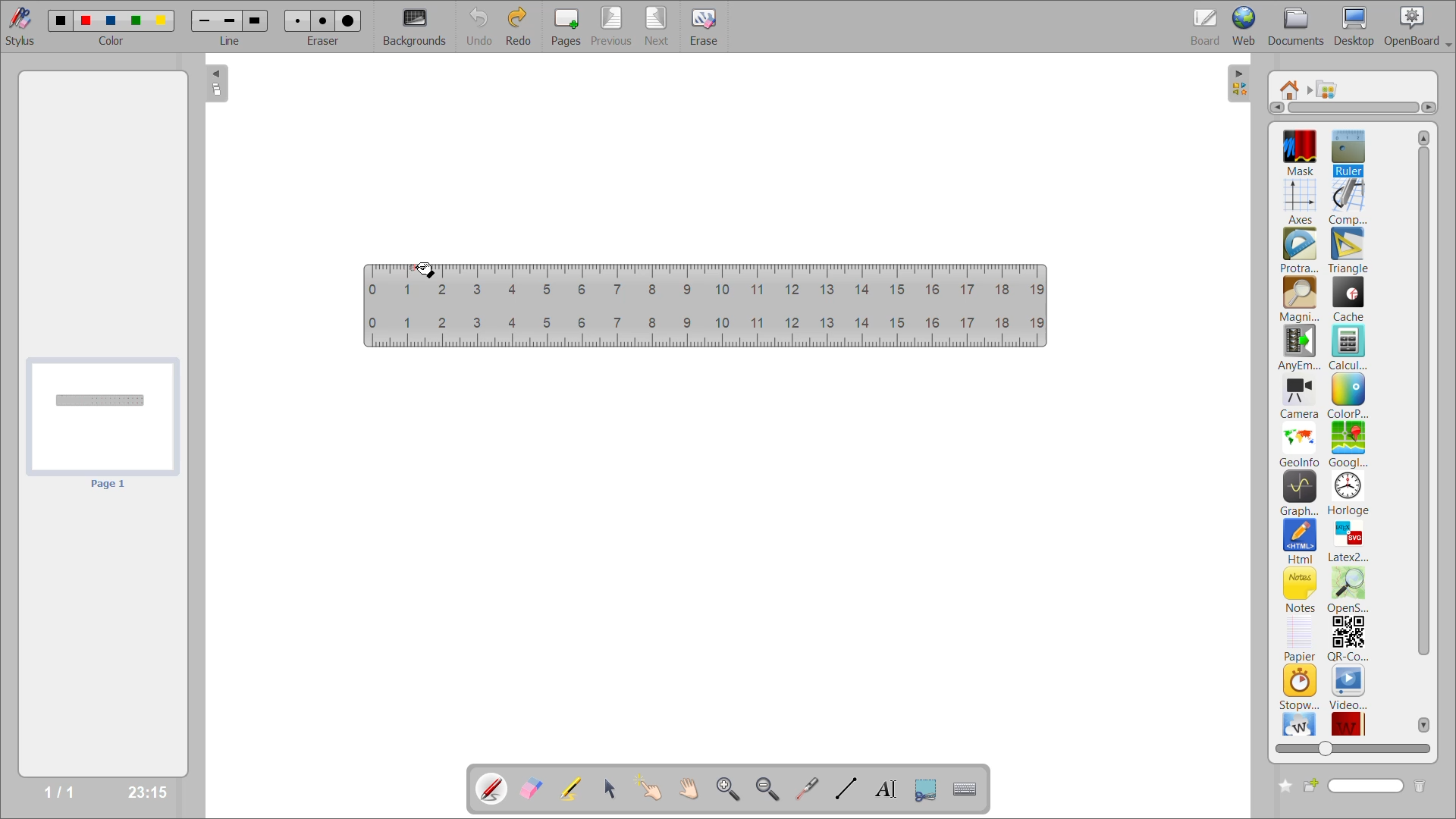 This screenshot has width=1456, height=819. I want to click on wikittionary, so click(1349, 722).